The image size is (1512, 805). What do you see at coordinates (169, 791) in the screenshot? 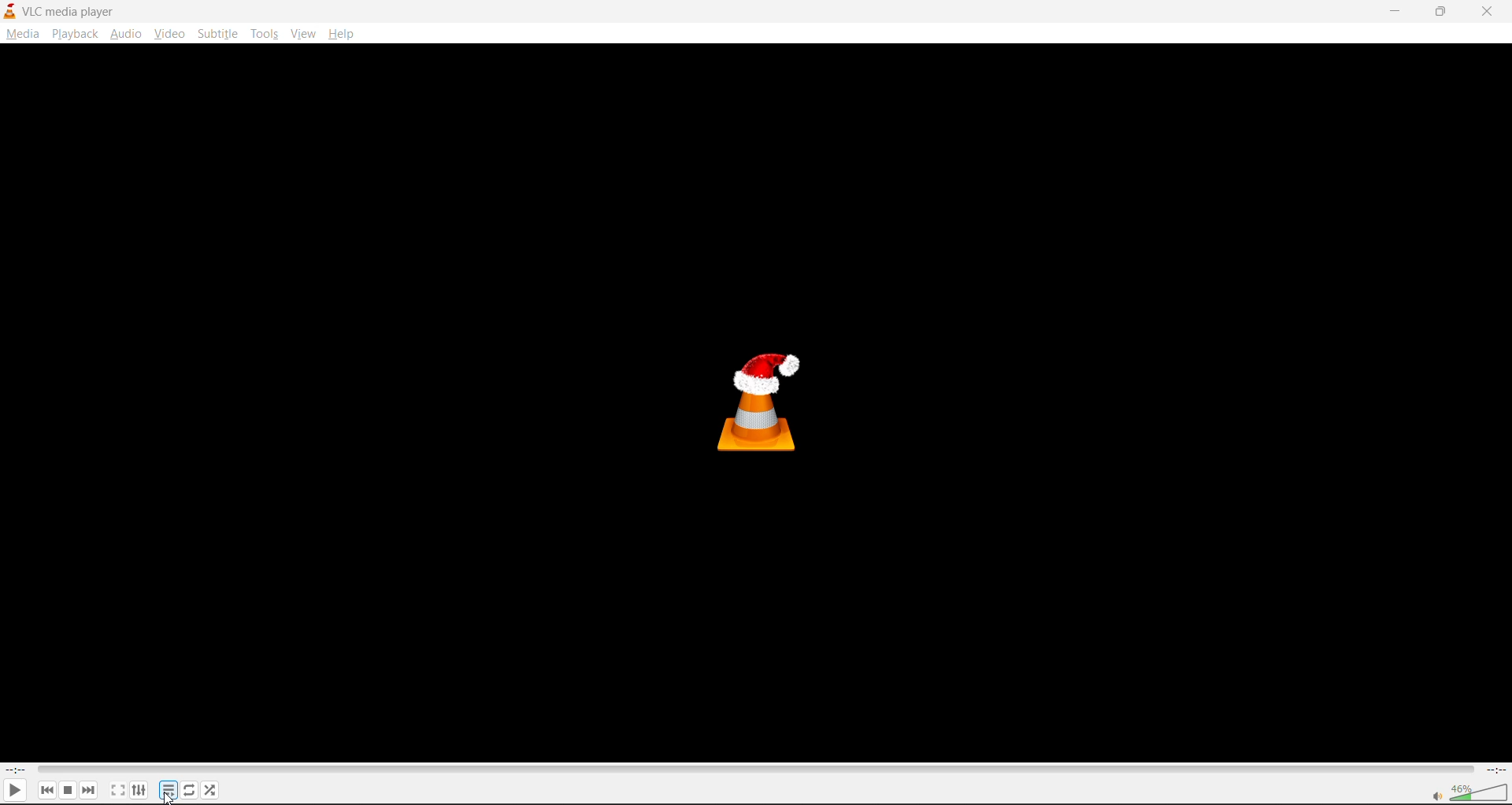
I see `playlist` at bounding box center [169, 791].